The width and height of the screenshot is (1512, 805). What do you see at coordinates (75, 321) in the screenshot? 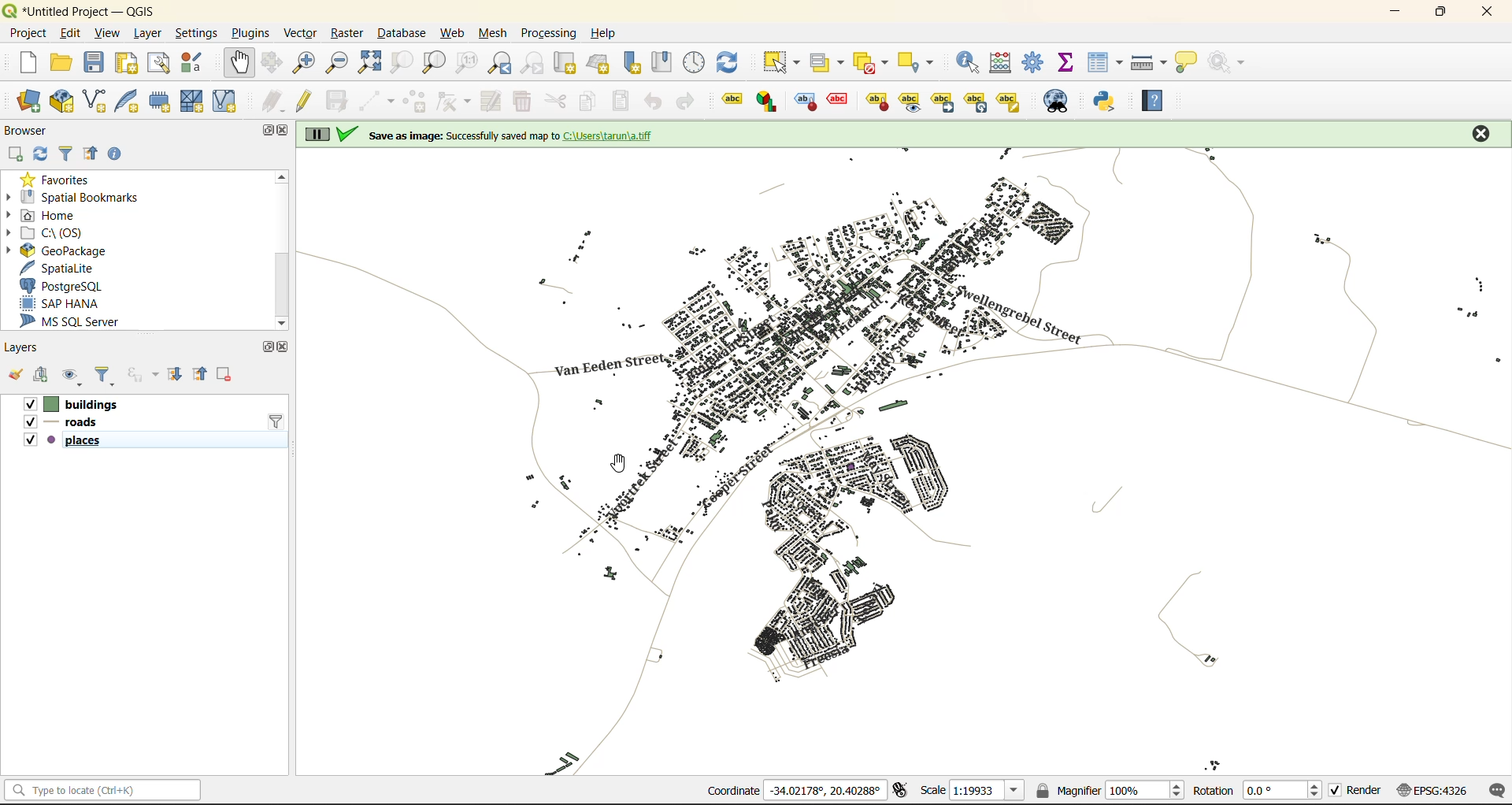
I see `ms sql server` at bounding box center [75, 321].